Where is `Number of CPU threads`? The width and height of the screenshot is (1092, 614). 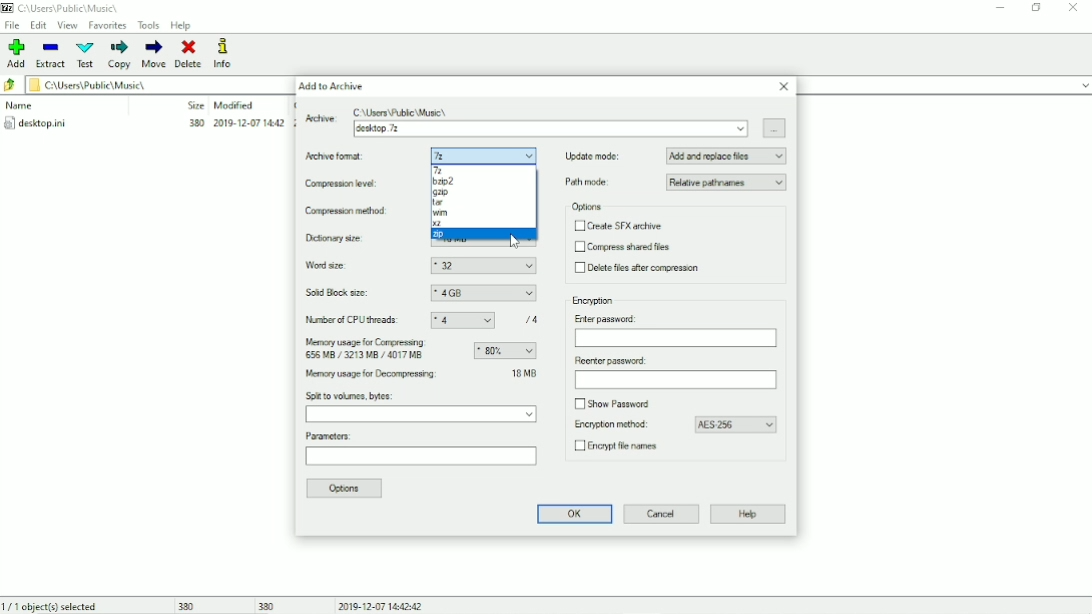
Number of CPU threads is located at coordinates (427, 320).